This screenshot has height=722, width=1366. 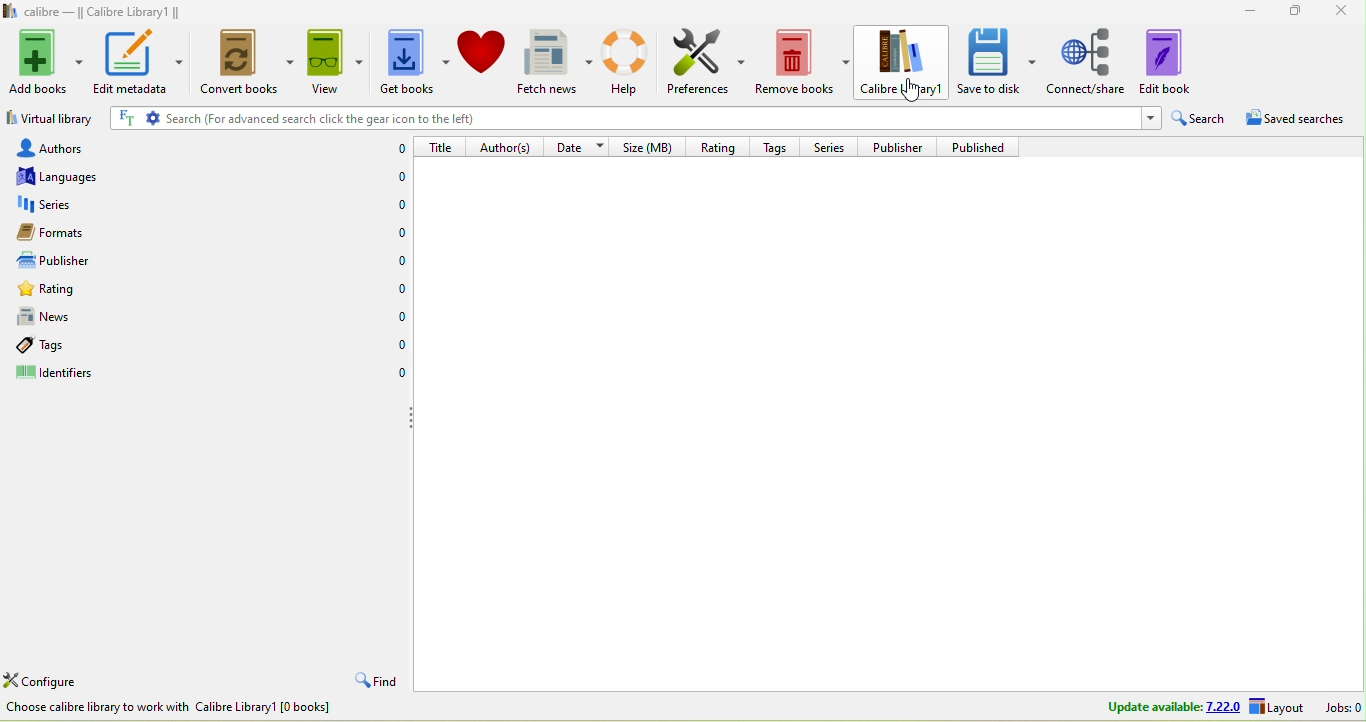 What do you see at coordinates (47, 59) in the screenshot?
I see `add books` at bounding box center [47, 59].